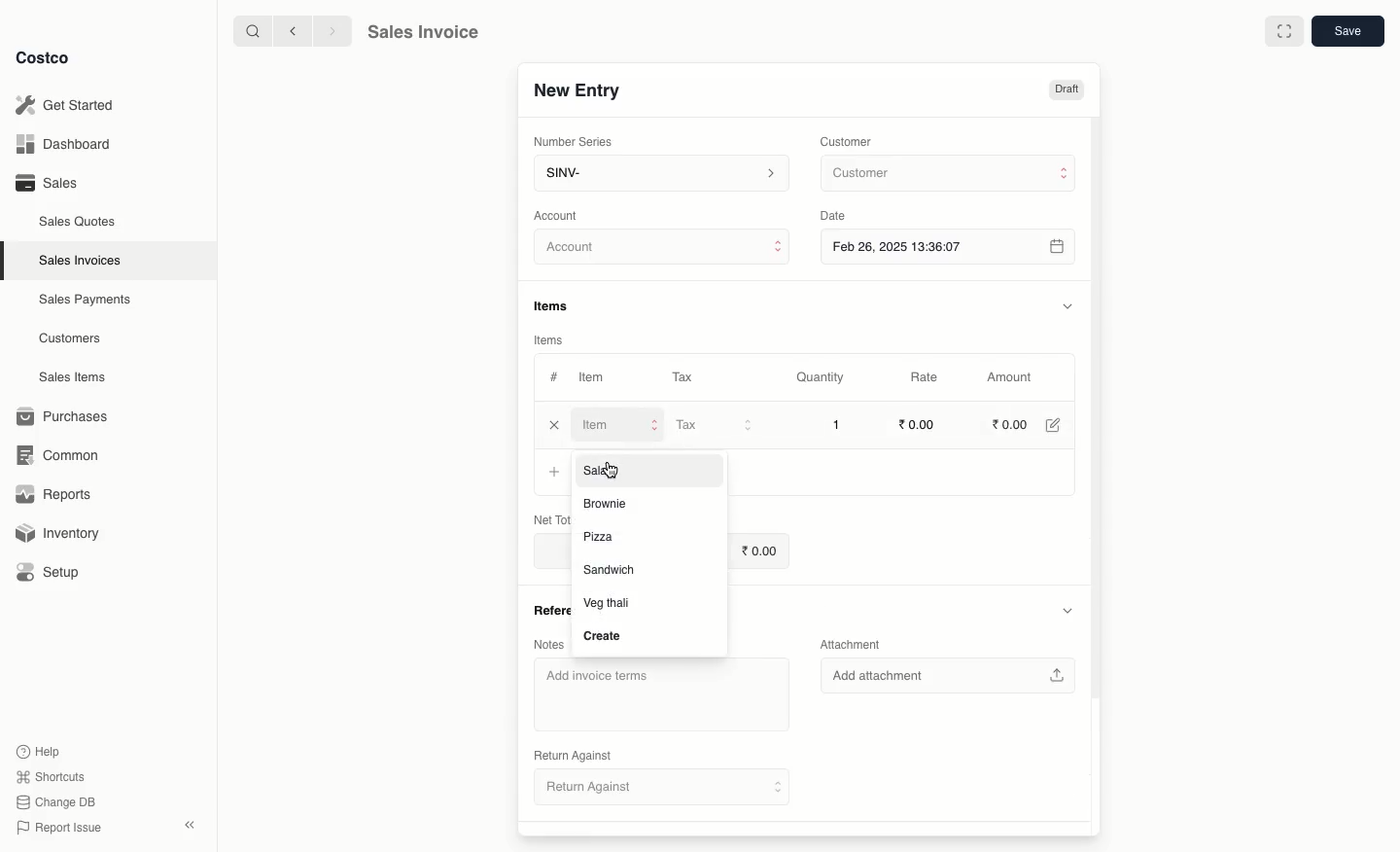  Describe the element at coordinates (663, 250) in the screenshot. I see `Account` at that location.